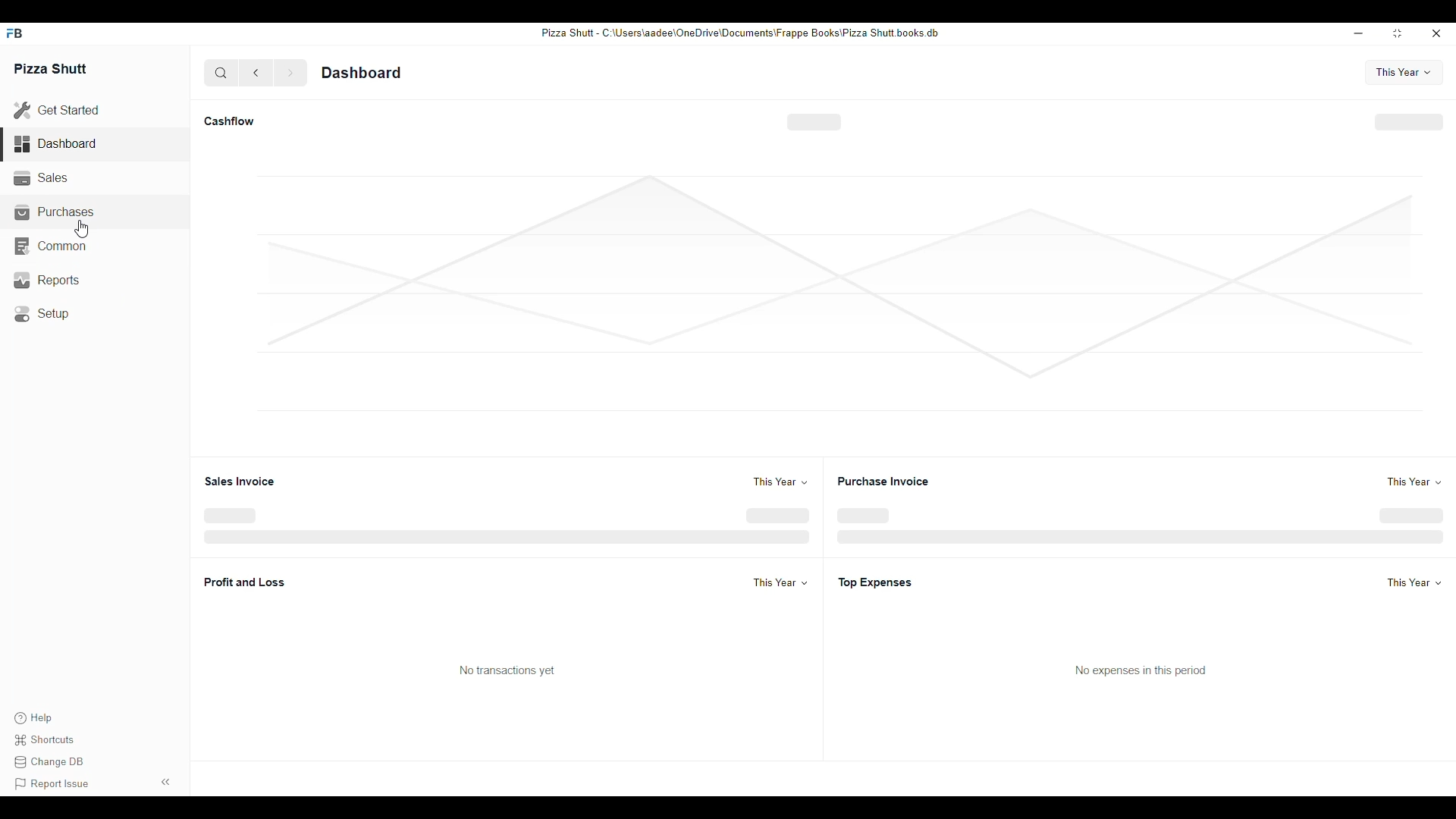  I want to click on <<, so click(167, 781).